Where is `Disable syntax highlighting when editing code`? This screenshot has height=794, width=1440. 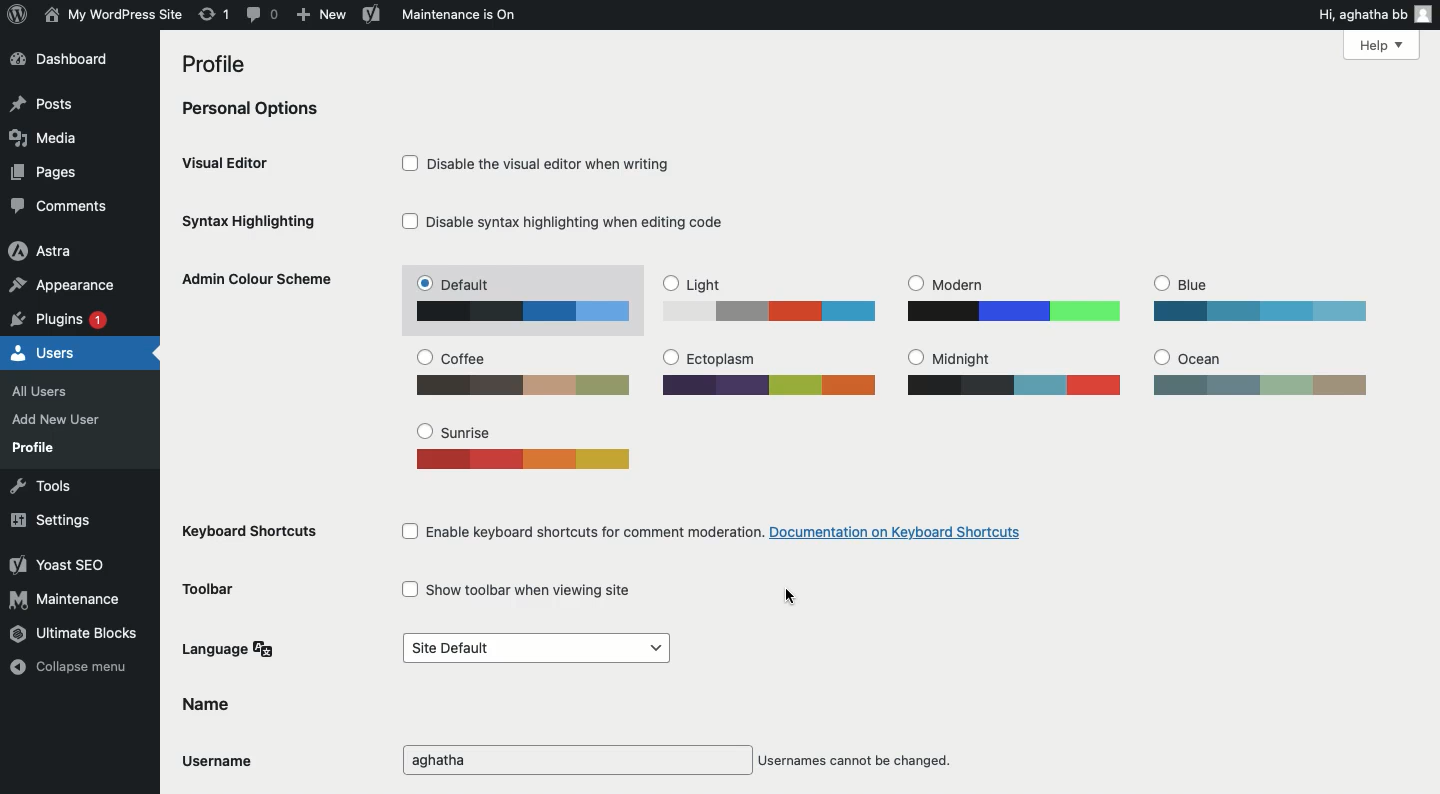 Disable syntax highlighting when editing code is located at coordinates (569, 225).